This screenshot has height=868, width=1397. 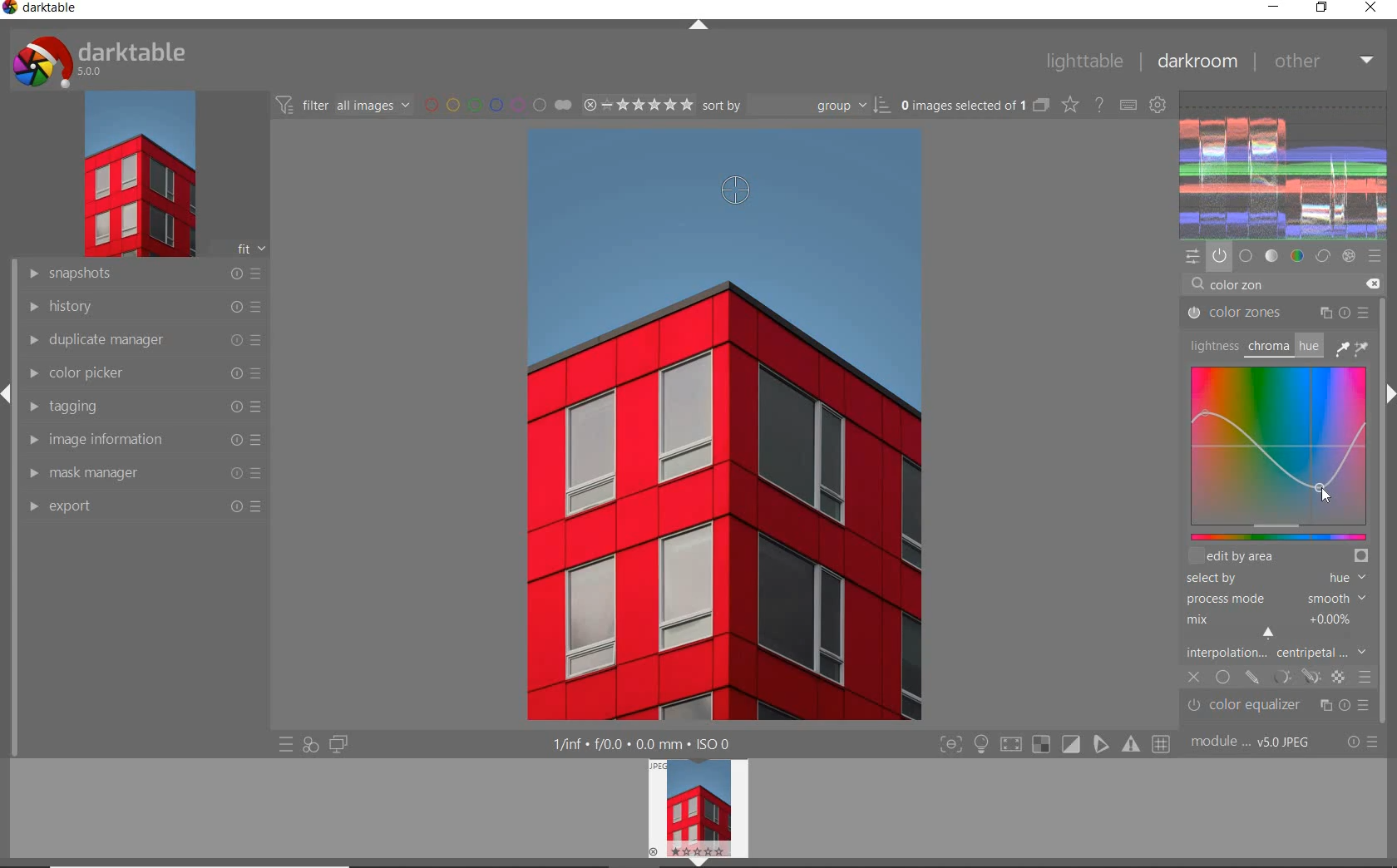 What do you see at coordinates (950, 745) in the screenshot?
I see `focus` at bounding box center [950, 745].